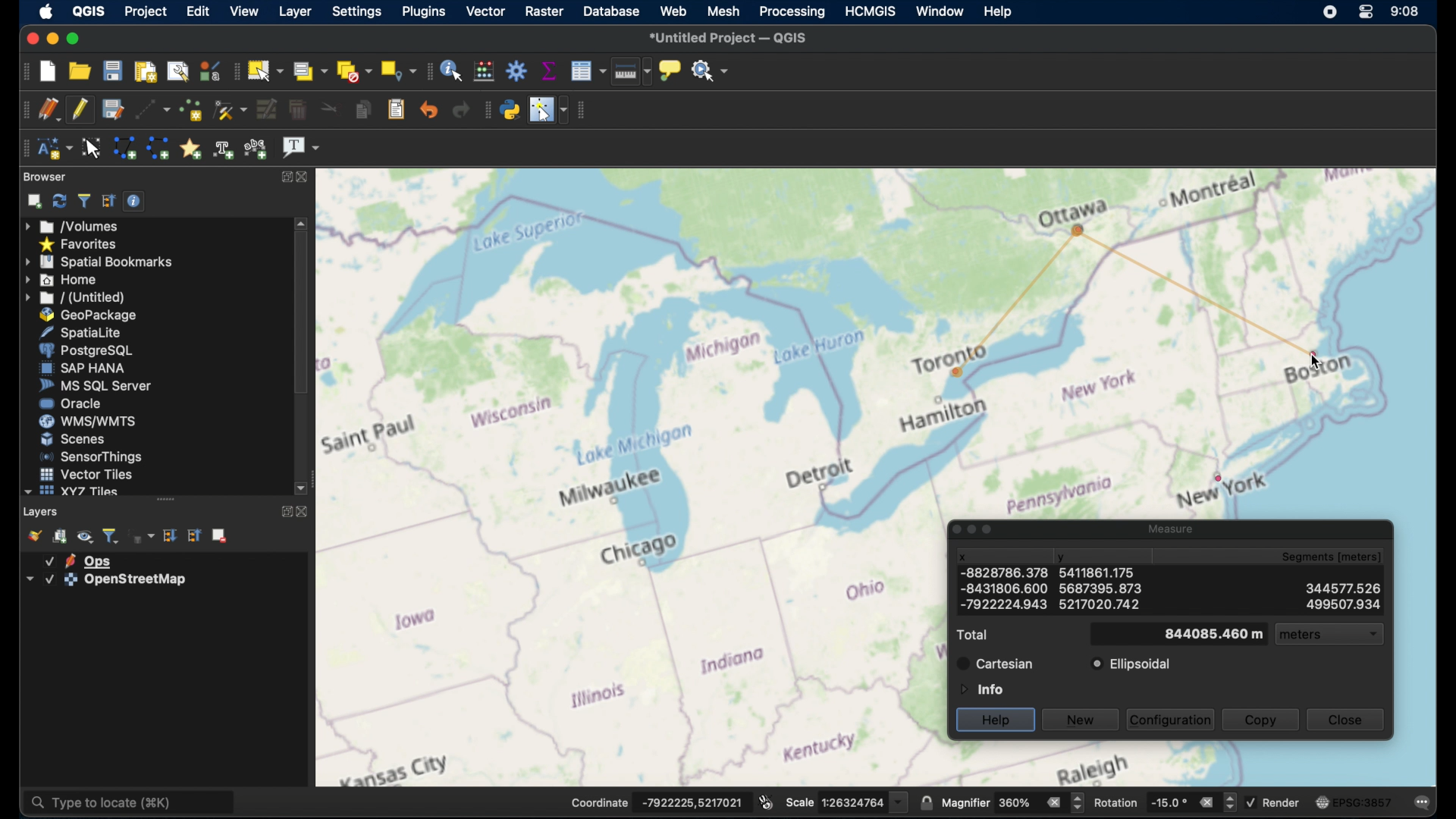  I want to click on attributes toolbar, so click(428, 71).